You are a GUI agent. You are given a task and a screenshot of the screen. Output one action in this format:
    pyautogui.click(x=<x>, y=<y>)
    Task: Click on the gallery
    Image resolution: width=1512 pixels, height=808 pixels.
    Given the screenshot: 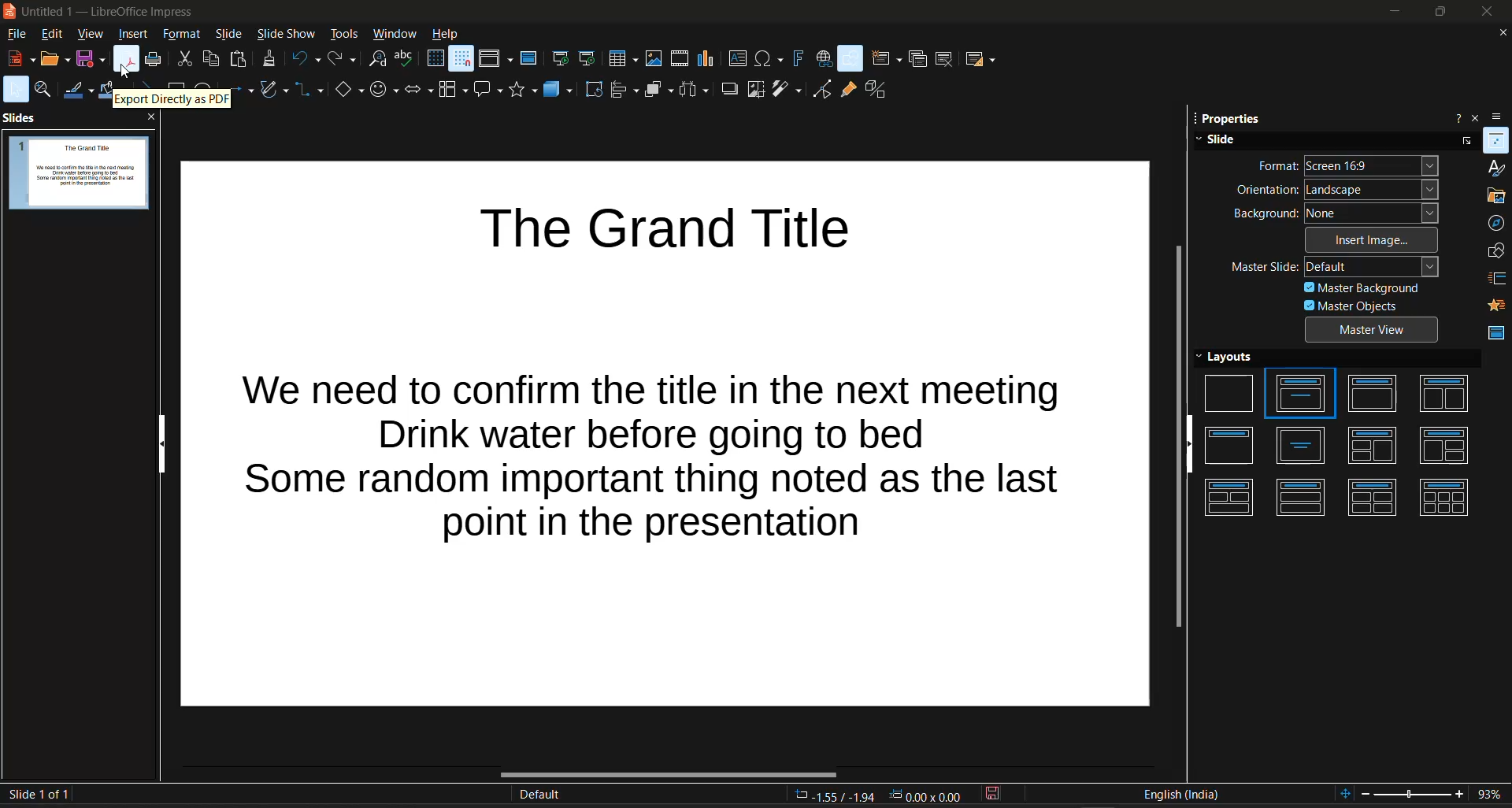 What is the action you would take?
    pyautogui.click(x=1494, y=196)
    